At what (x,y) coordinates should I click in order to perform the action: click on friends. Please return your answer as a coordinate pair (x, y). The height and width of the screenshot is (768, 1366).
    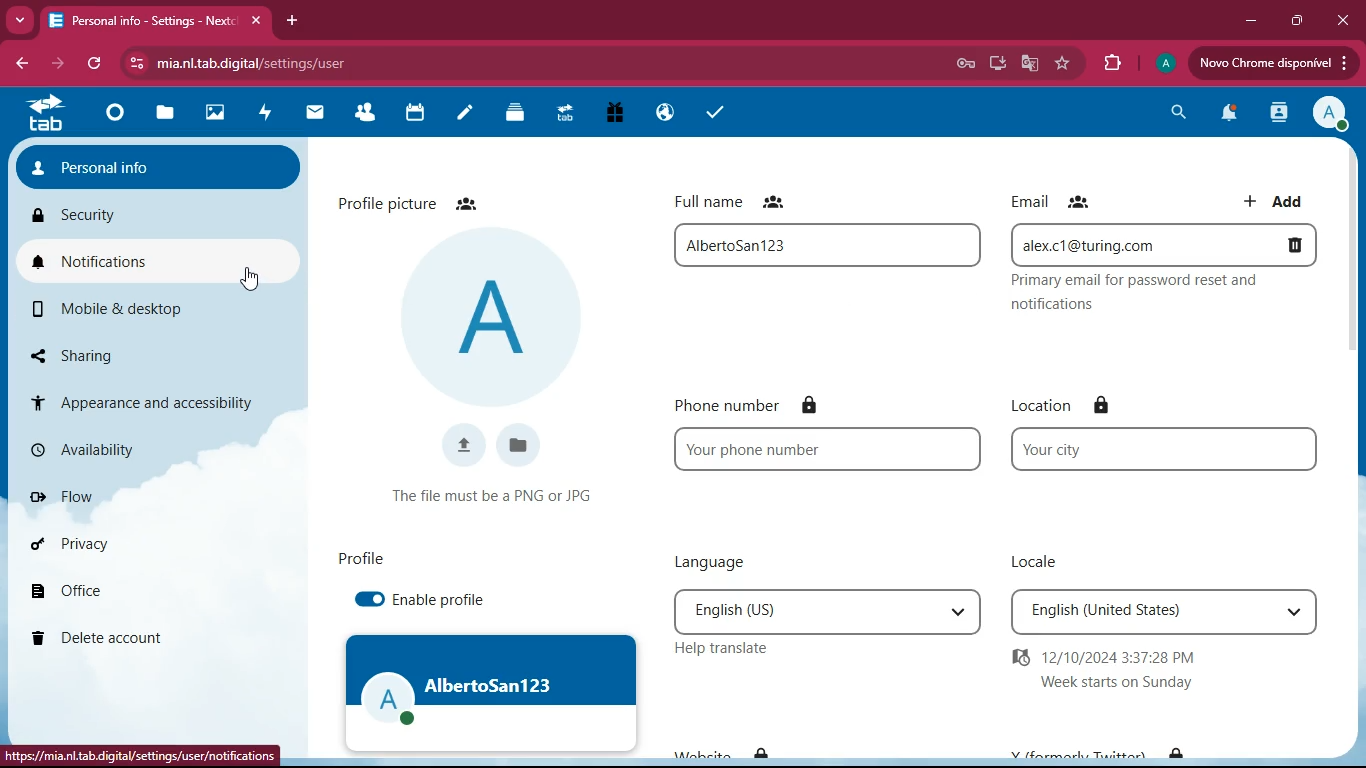
    Looking at the image, I should click on (361, 114).